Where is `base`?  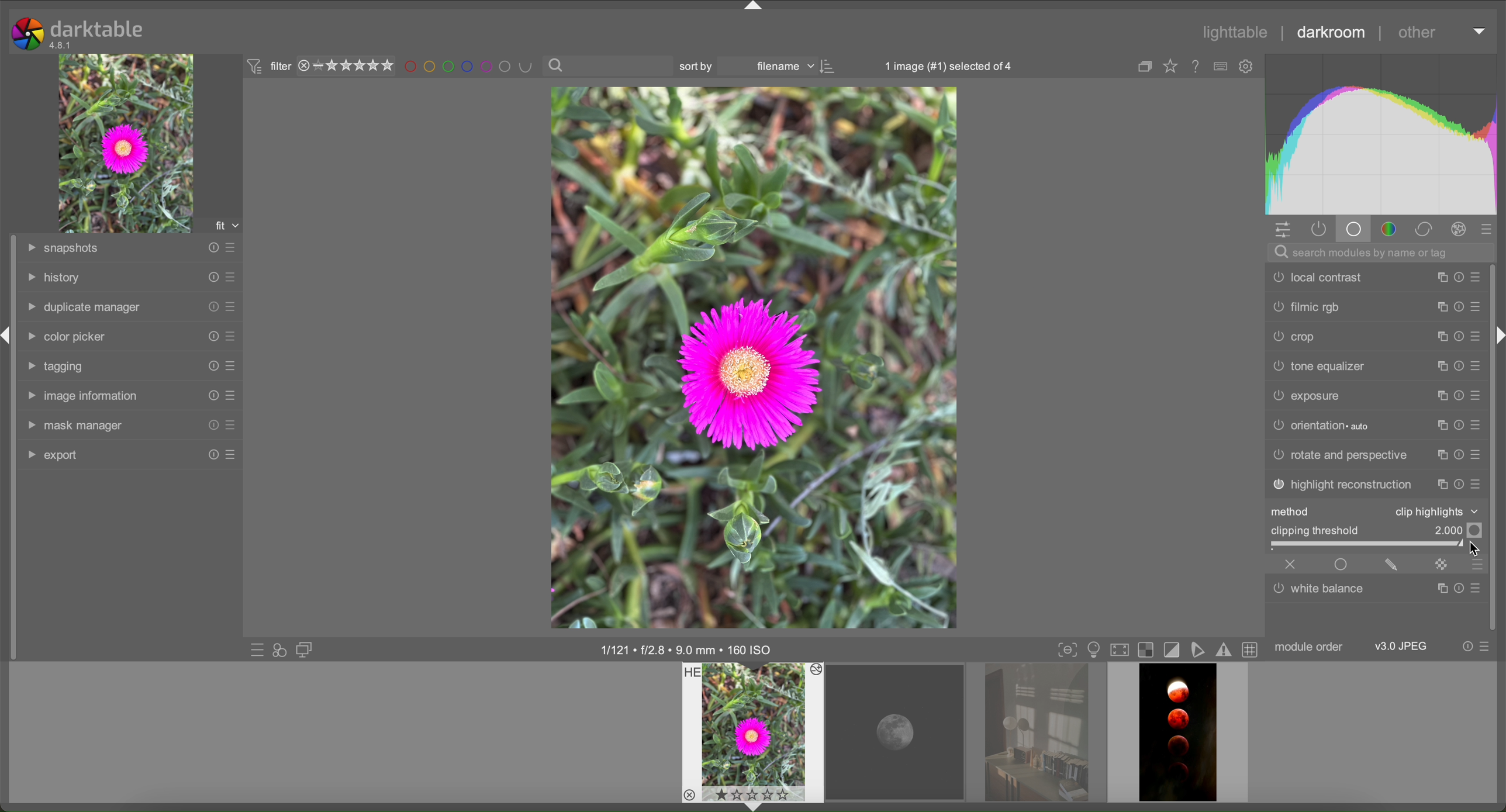 base is located at coordinates (1353, 228).